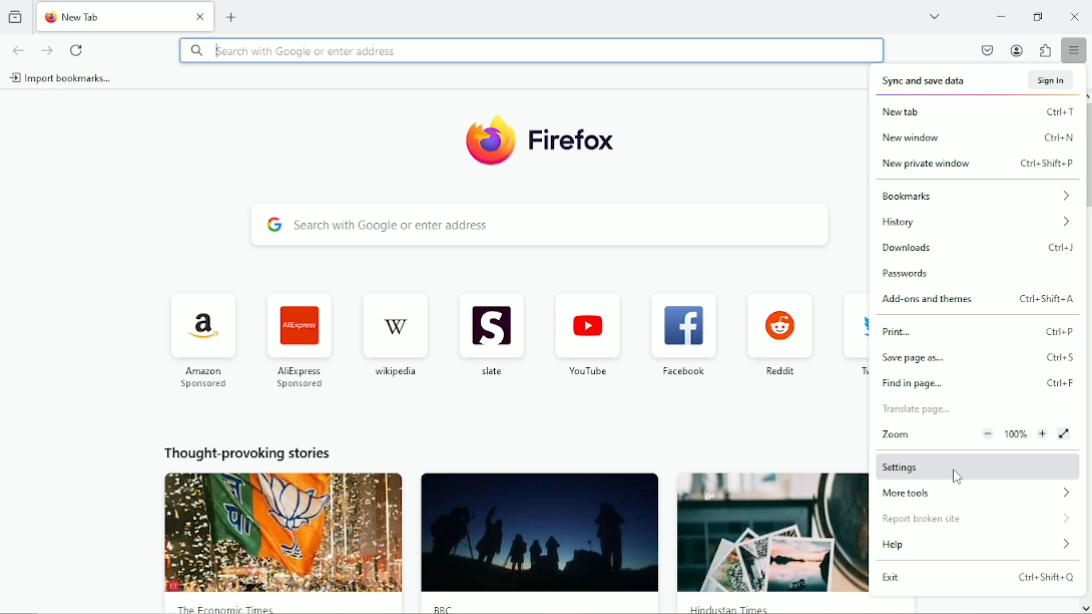  What do you see at coordinates (978, 330) in the screenshot?
I see `Print...  Ctrl+P` at bounding box center [978, 330].